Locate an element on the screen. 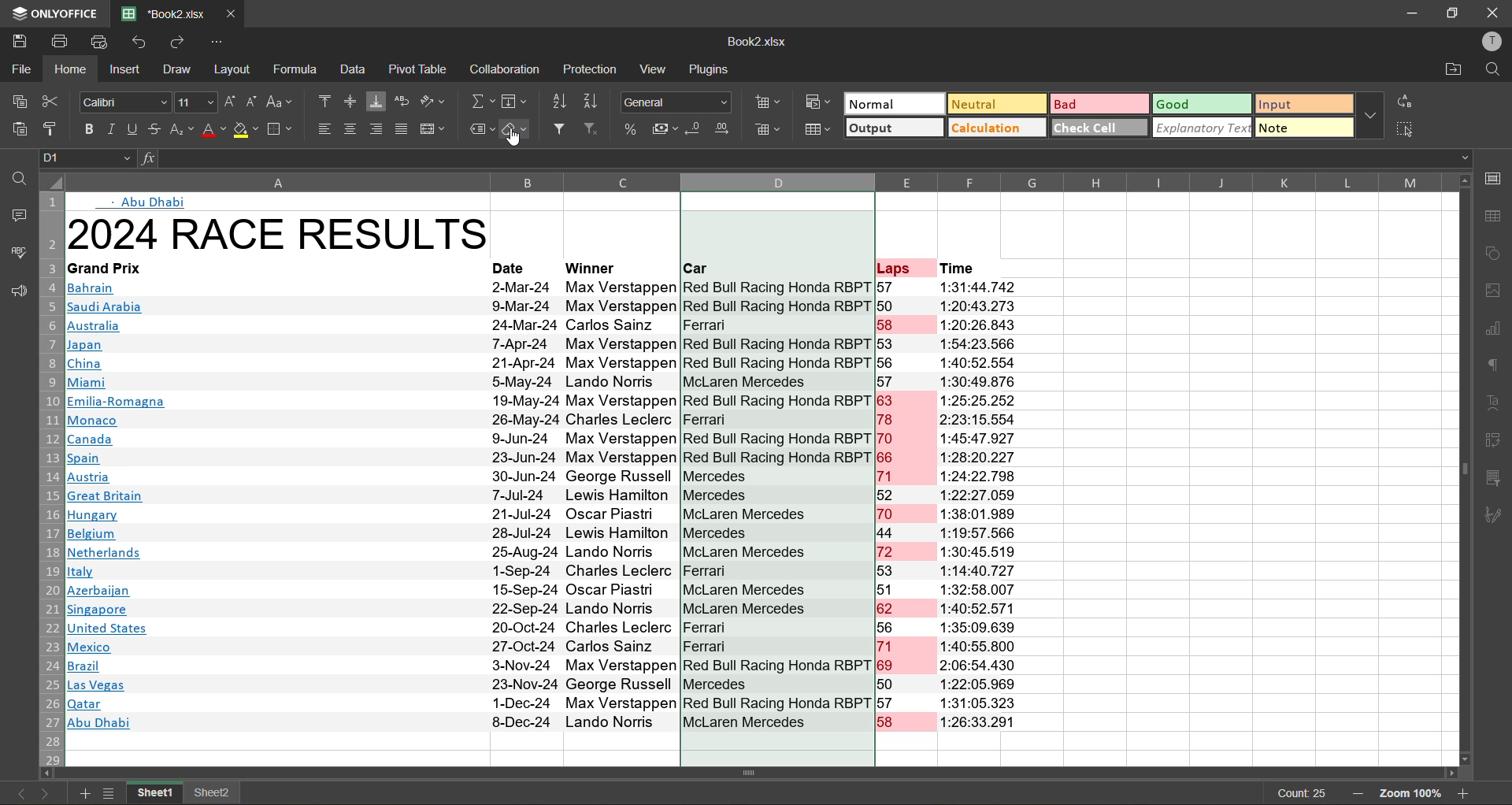  Bahrain 2-Mar-24 Max Verstappen Red Bull Racing Honda RBP 1 57 1:31:44.7/472 is located at coordinates (540, 288).